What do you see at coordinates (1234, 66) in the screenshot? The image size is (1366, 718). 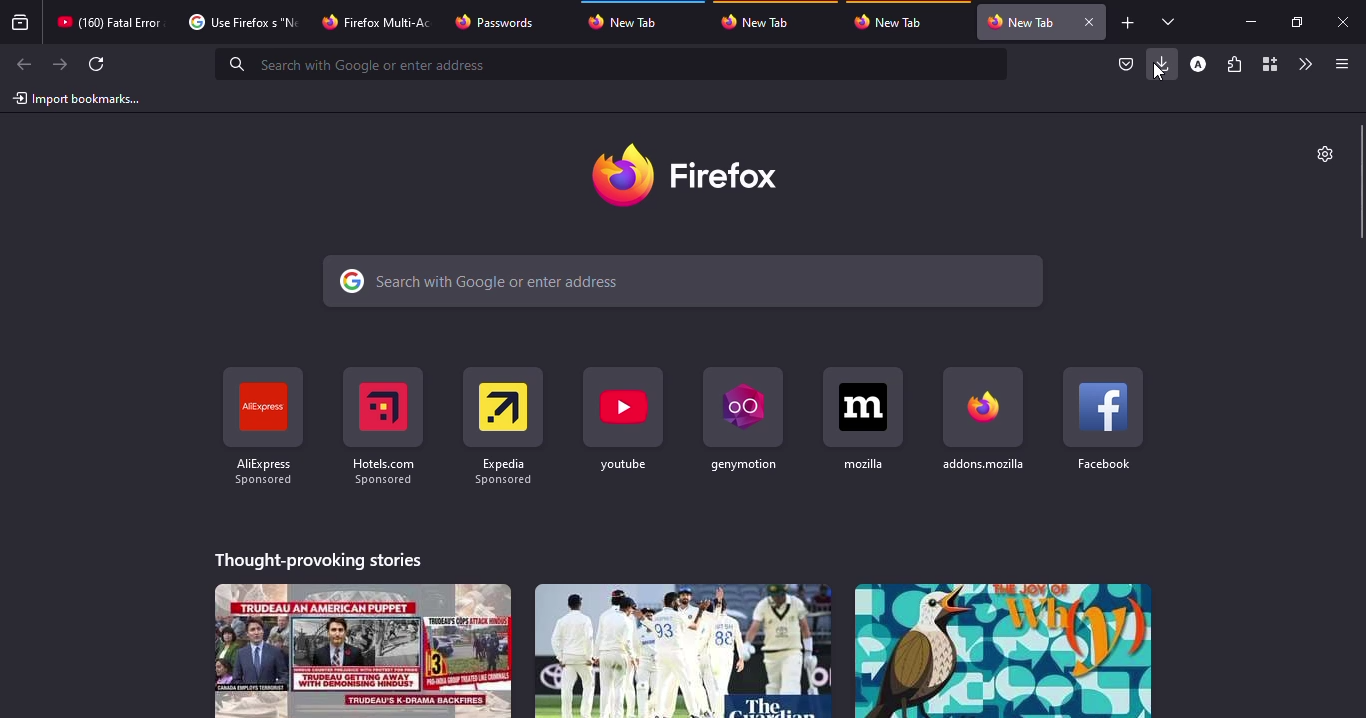 I see `extensions` at bounding box center [1234, 66].